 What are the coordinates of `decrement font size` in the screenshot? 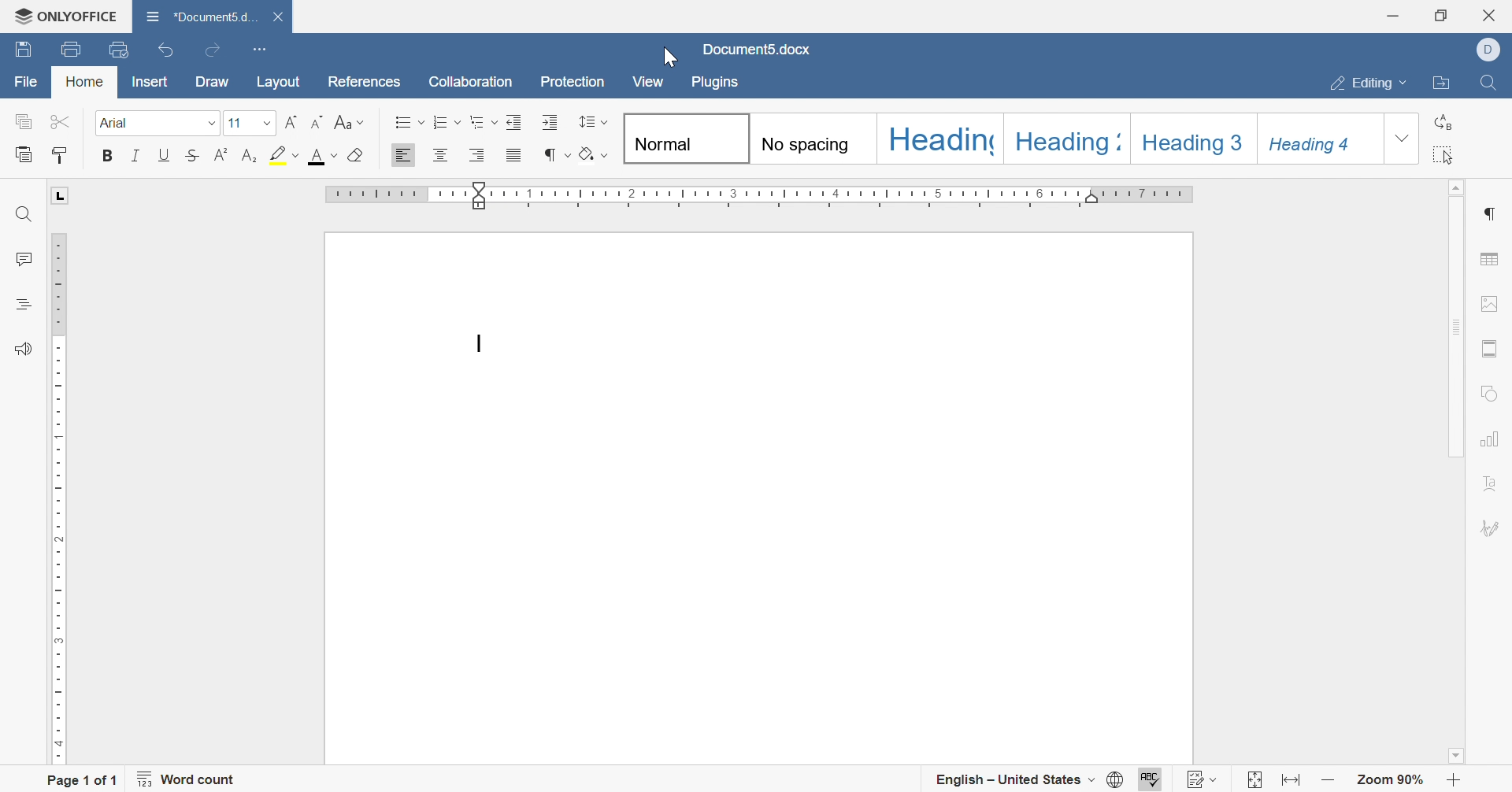 It's located at (317, 121).